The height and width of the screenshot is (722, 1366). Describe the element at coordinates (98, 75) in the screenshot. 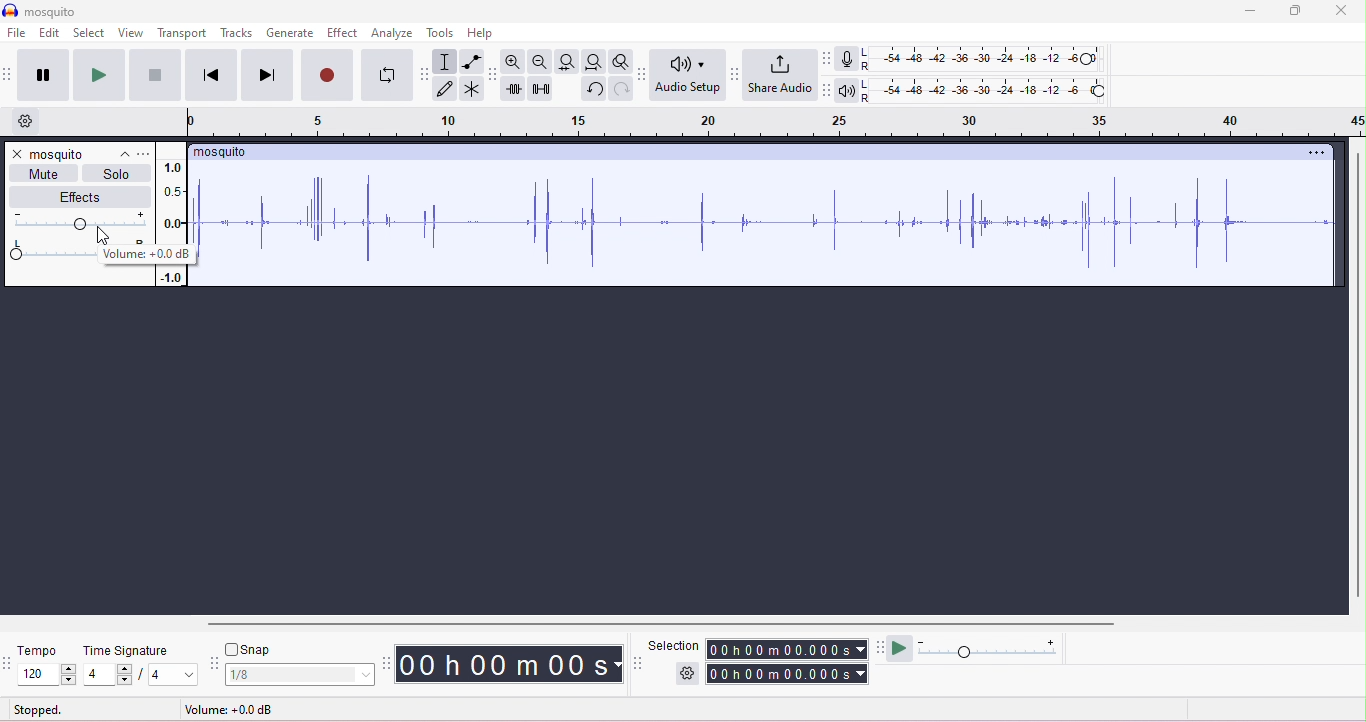

I see `play` at that location.